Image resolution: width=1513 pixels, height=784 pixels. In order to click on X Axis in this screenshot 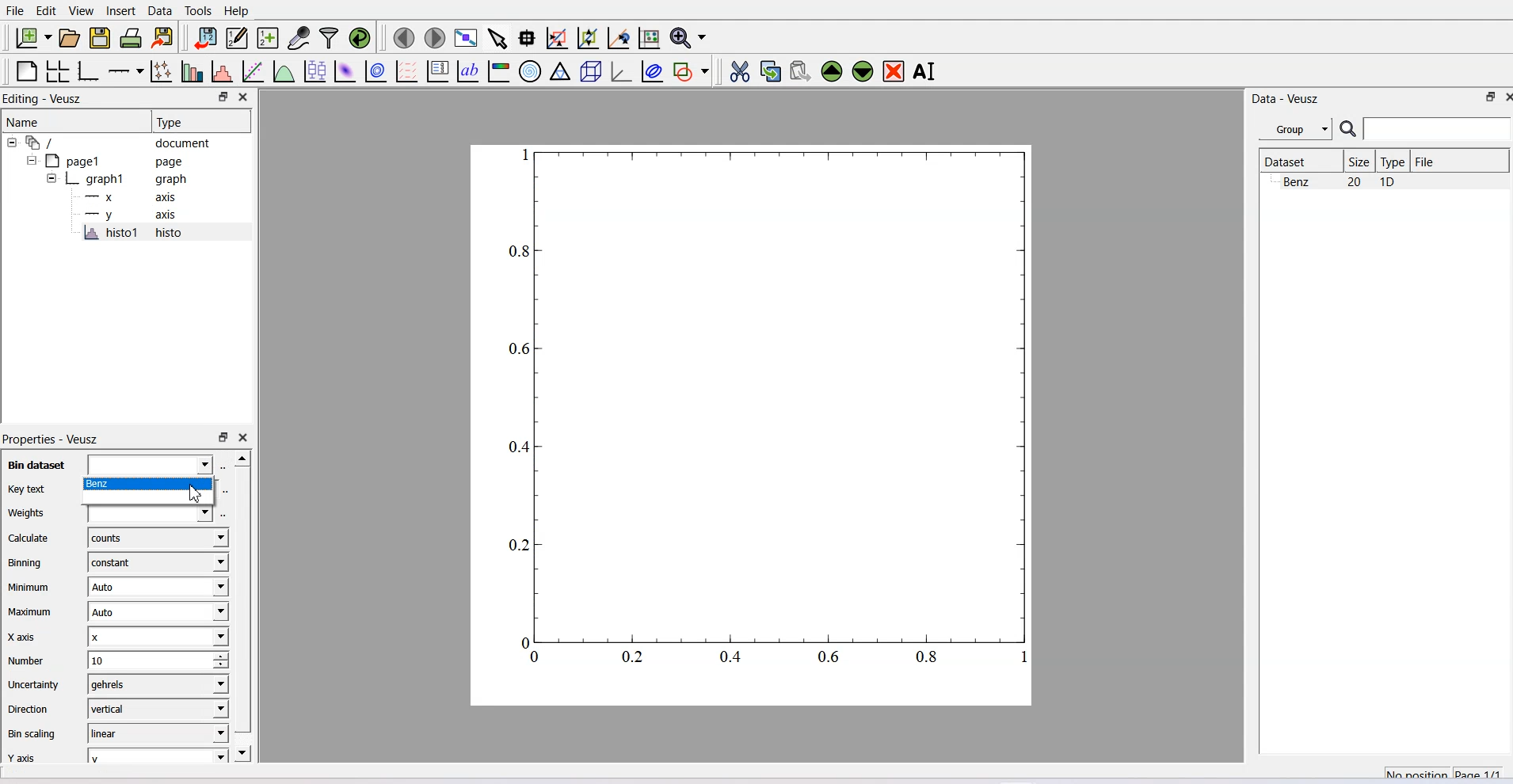, I will do `click(135, 197)`.